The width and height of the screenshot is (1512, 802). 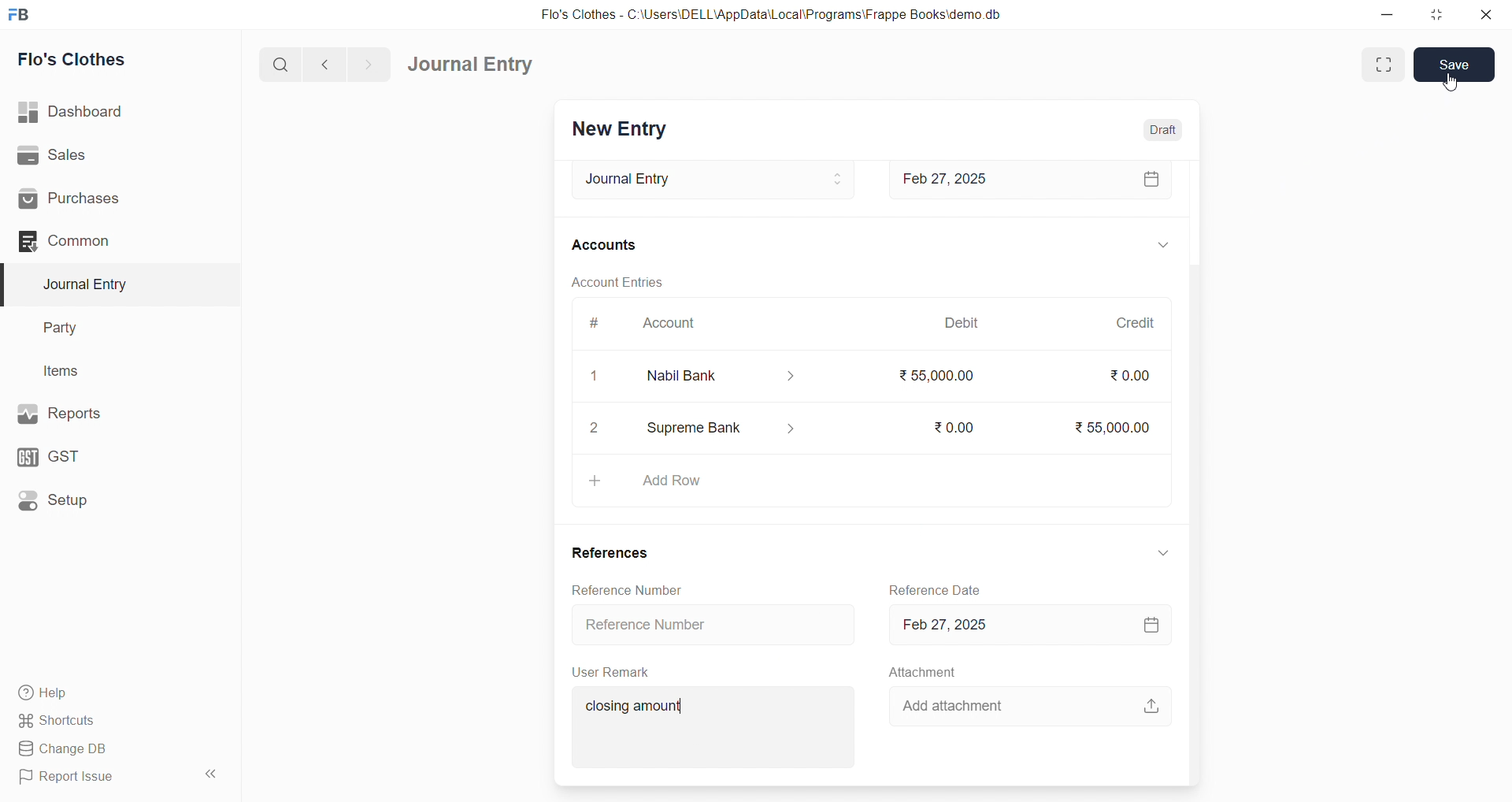 What do you see at coordinates (1452, 84) in the screenshot?
I see `cursor` at bounding box center [1452, 84].